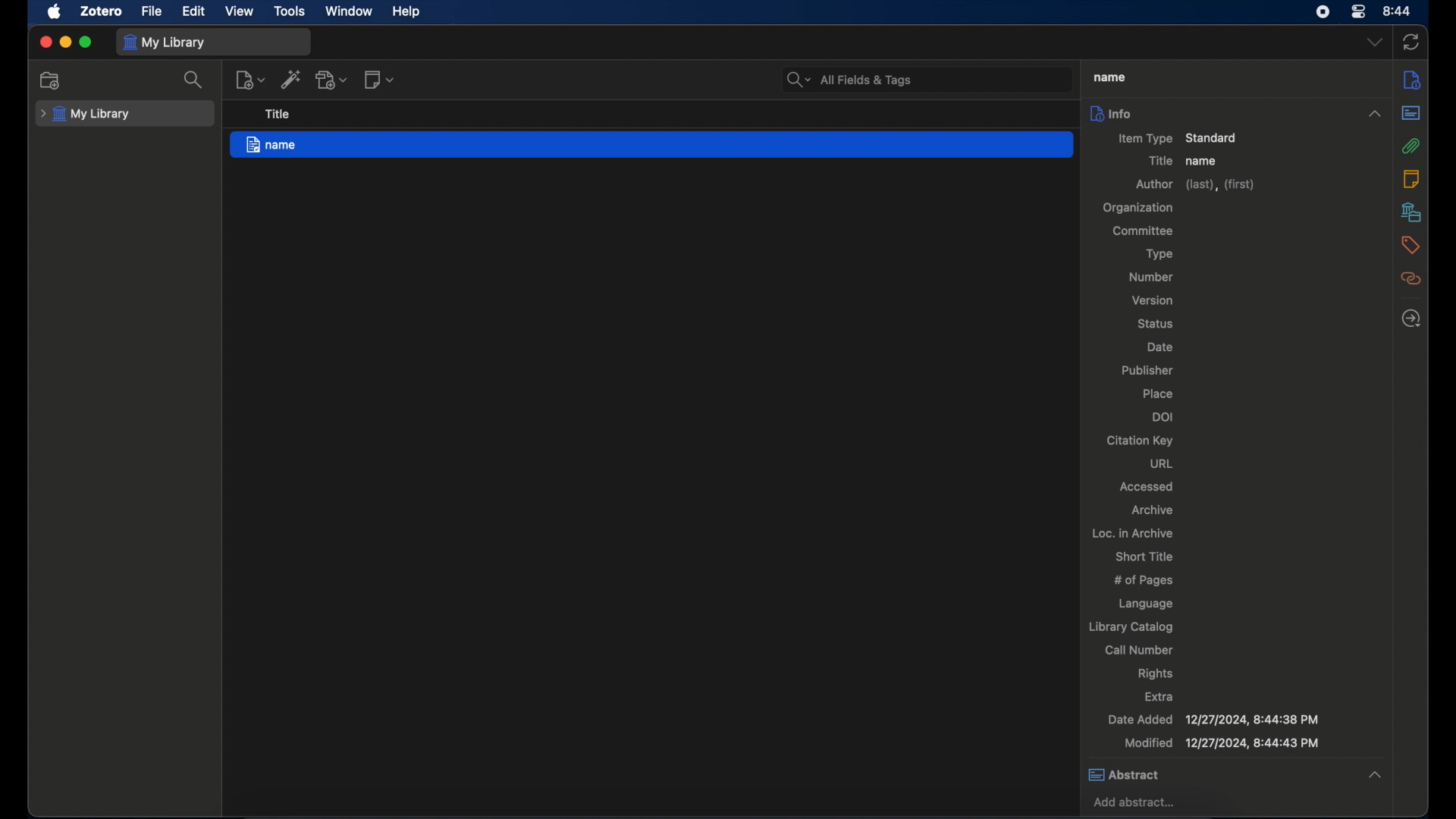  I want to click on name, so click(651, 146).